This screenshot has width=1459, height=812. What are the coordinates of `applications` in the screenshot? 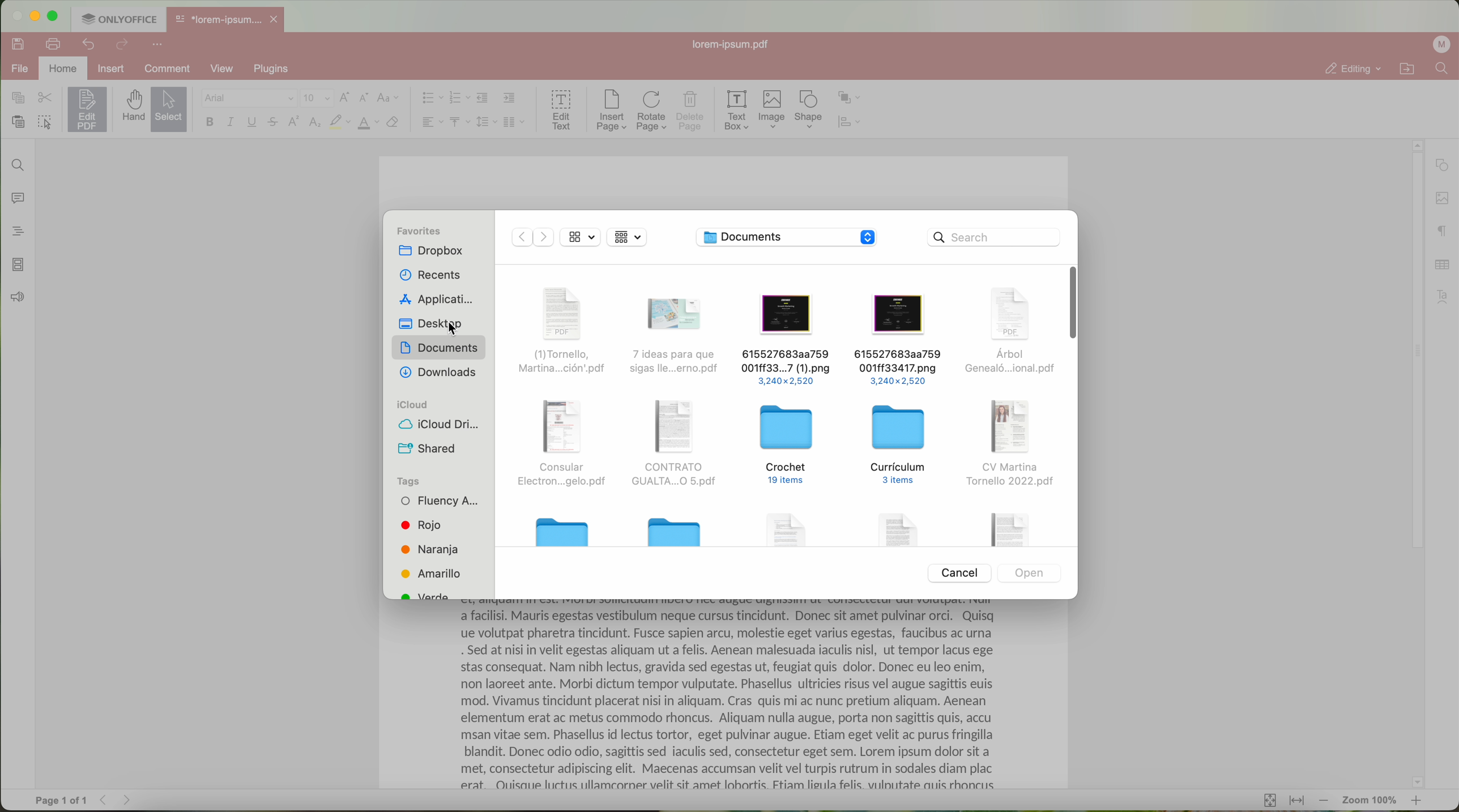 It's located at (436, 300).